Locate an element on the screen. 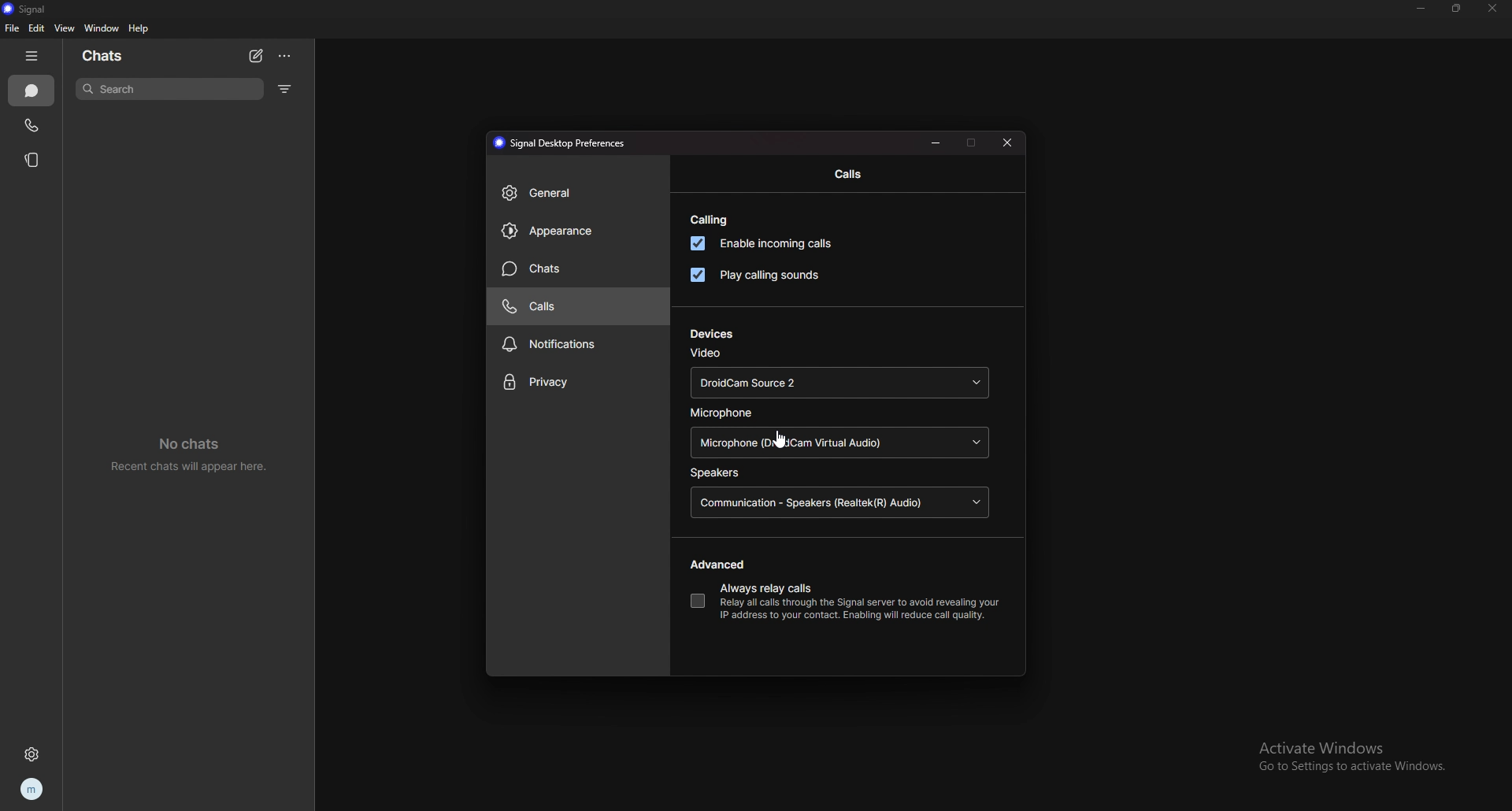 This screenshot has width=1512, height=811. always relay calls is located at coordinates (697, 601).